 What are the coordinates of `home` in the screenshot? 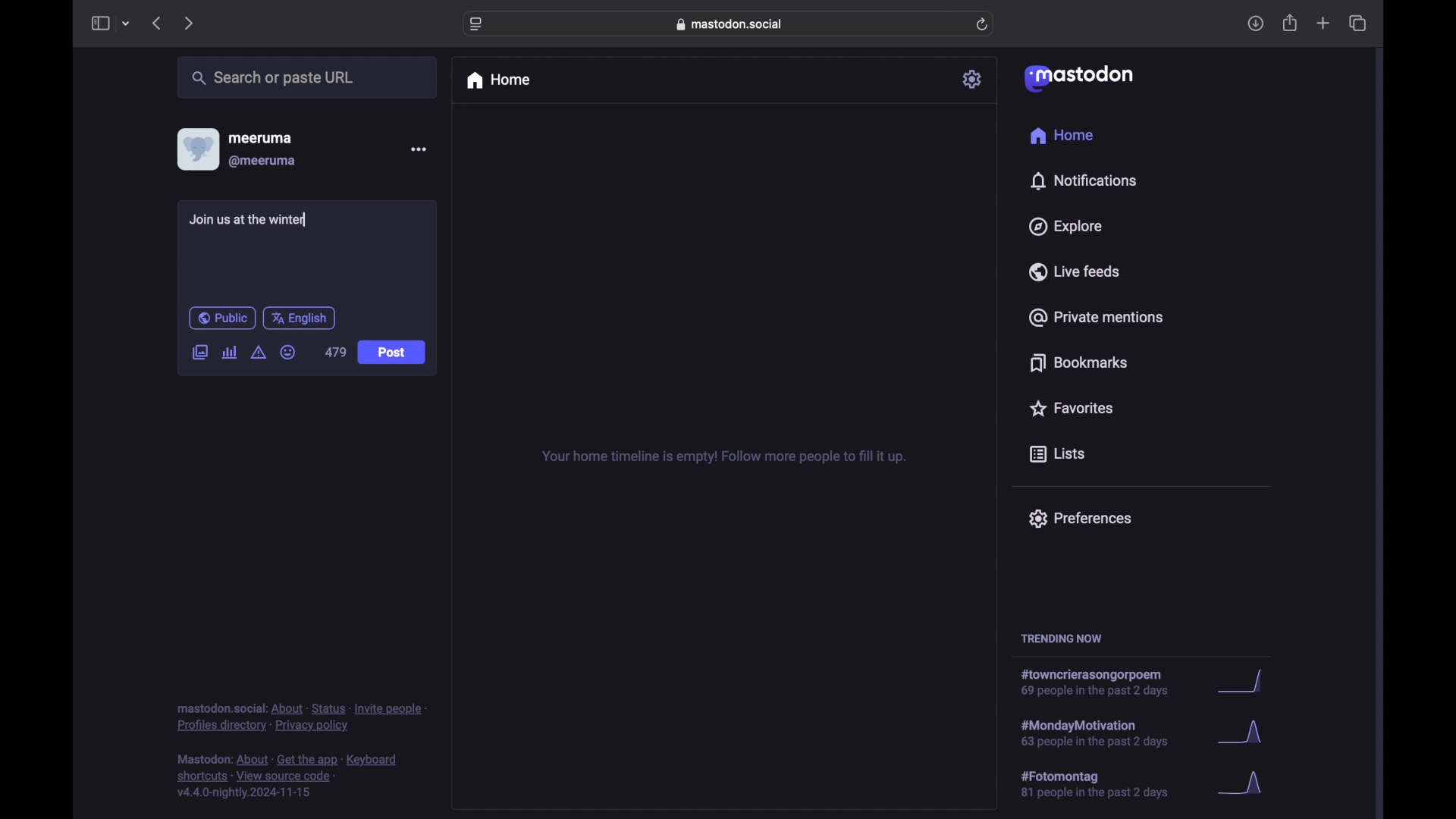 It's located at (497, 80).